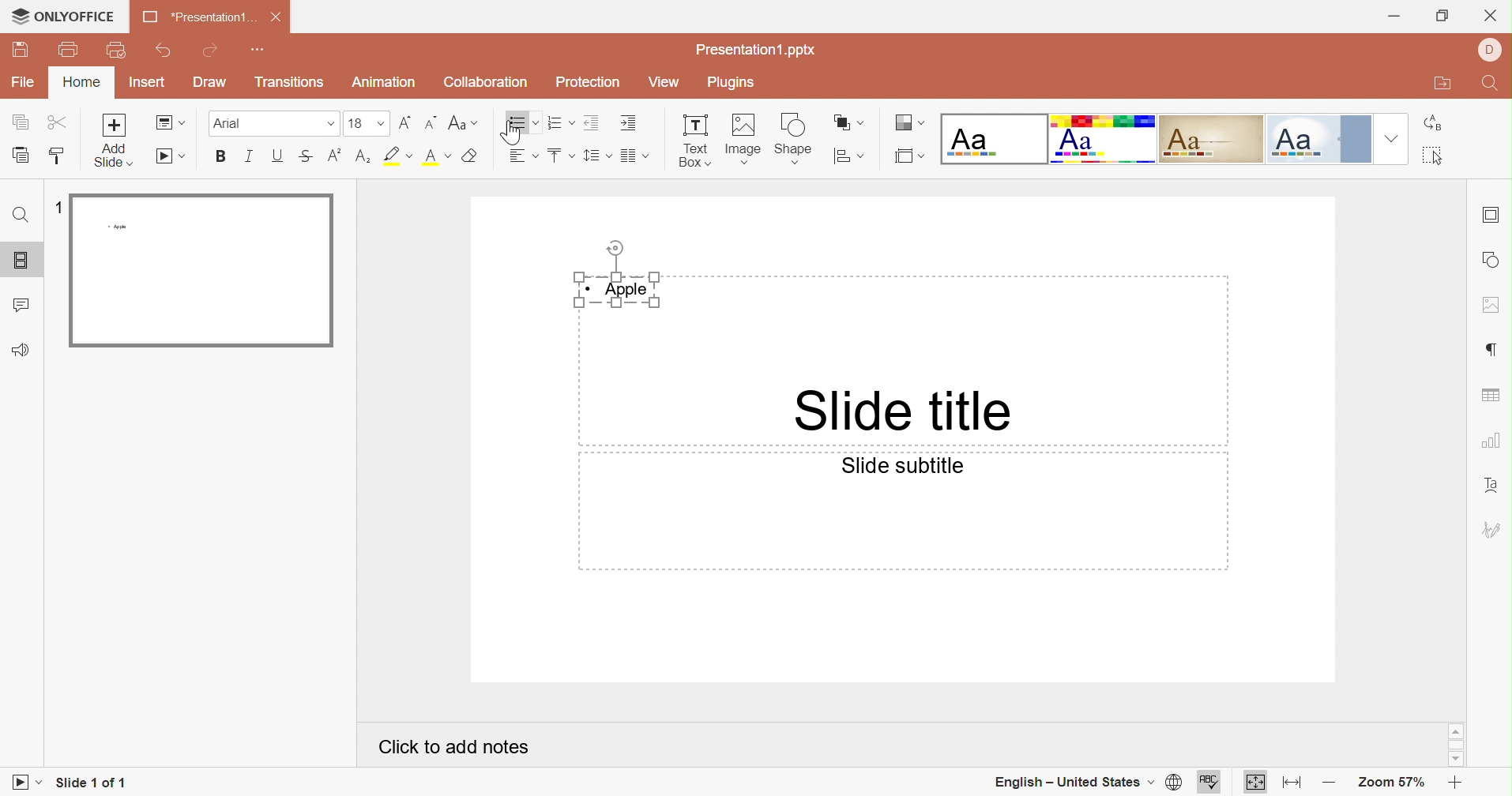  I want to click on chart settings, so click(1491, 445).